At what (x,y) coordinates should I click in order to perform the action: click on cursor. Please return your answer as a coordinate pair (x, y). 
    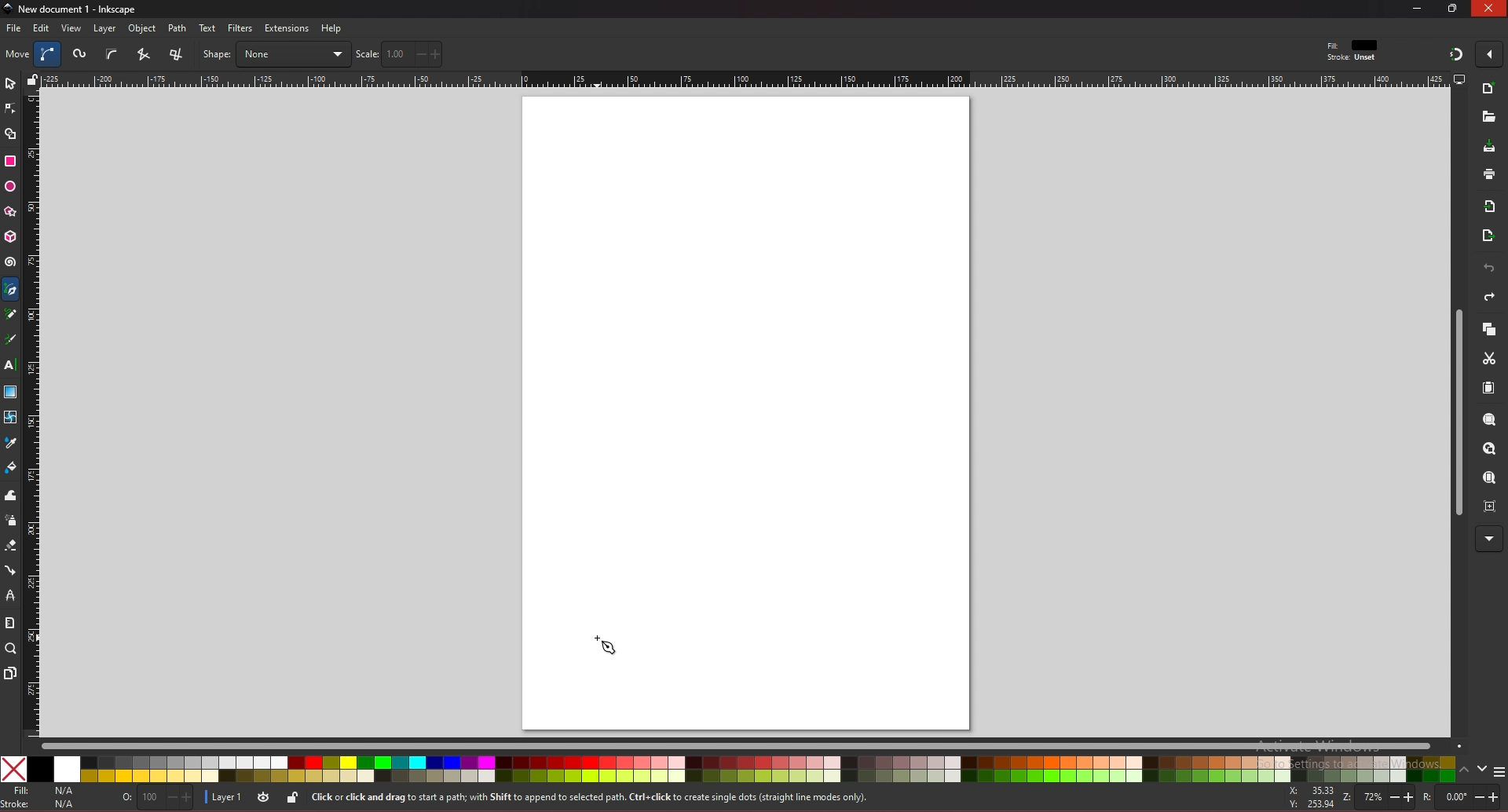
    Looking at the image, I should click on (606, 644).